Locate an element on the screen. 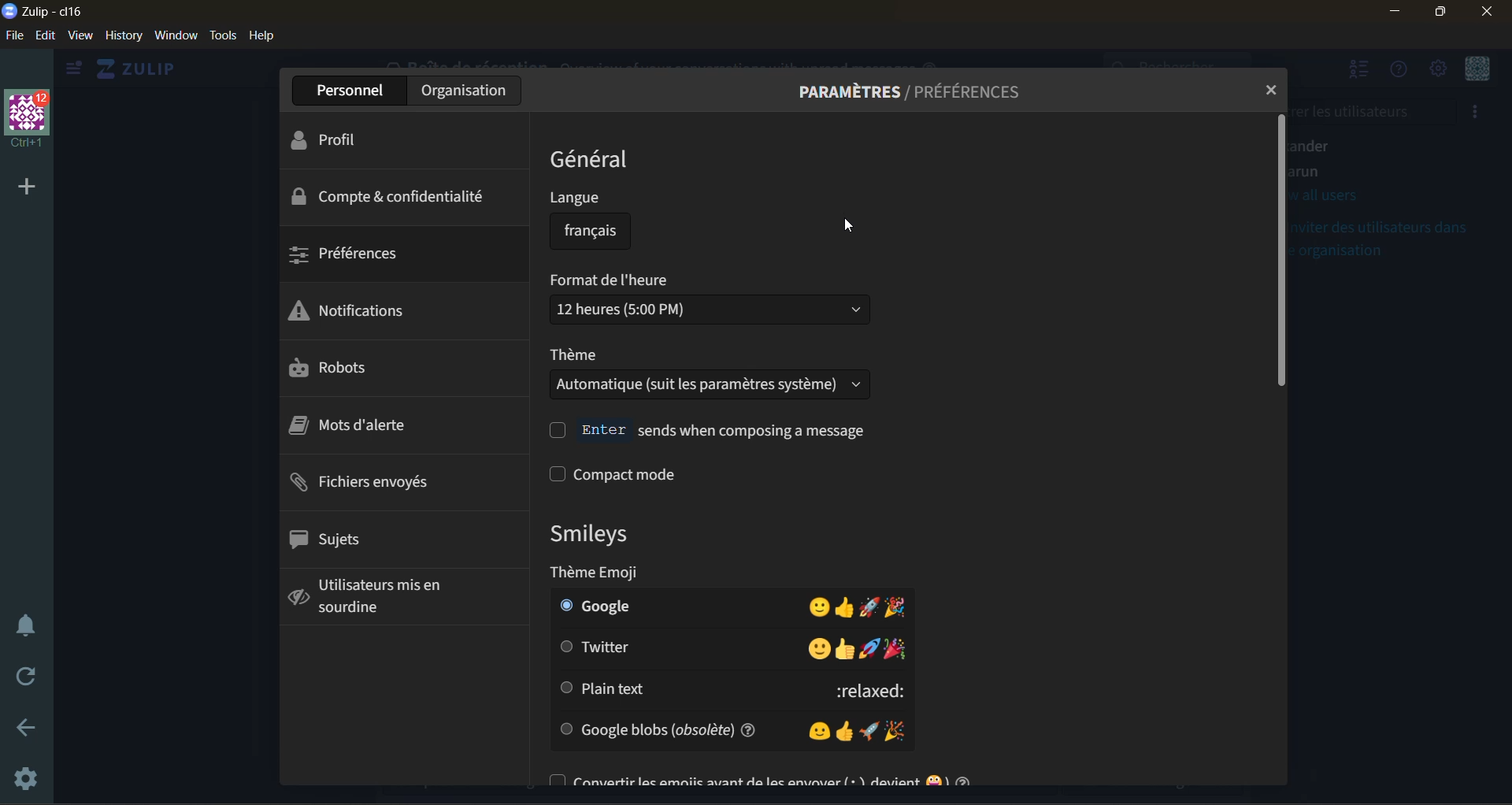 This screenshot has height=805, width=1512. hide user list is located at coordinates (1361, 72).